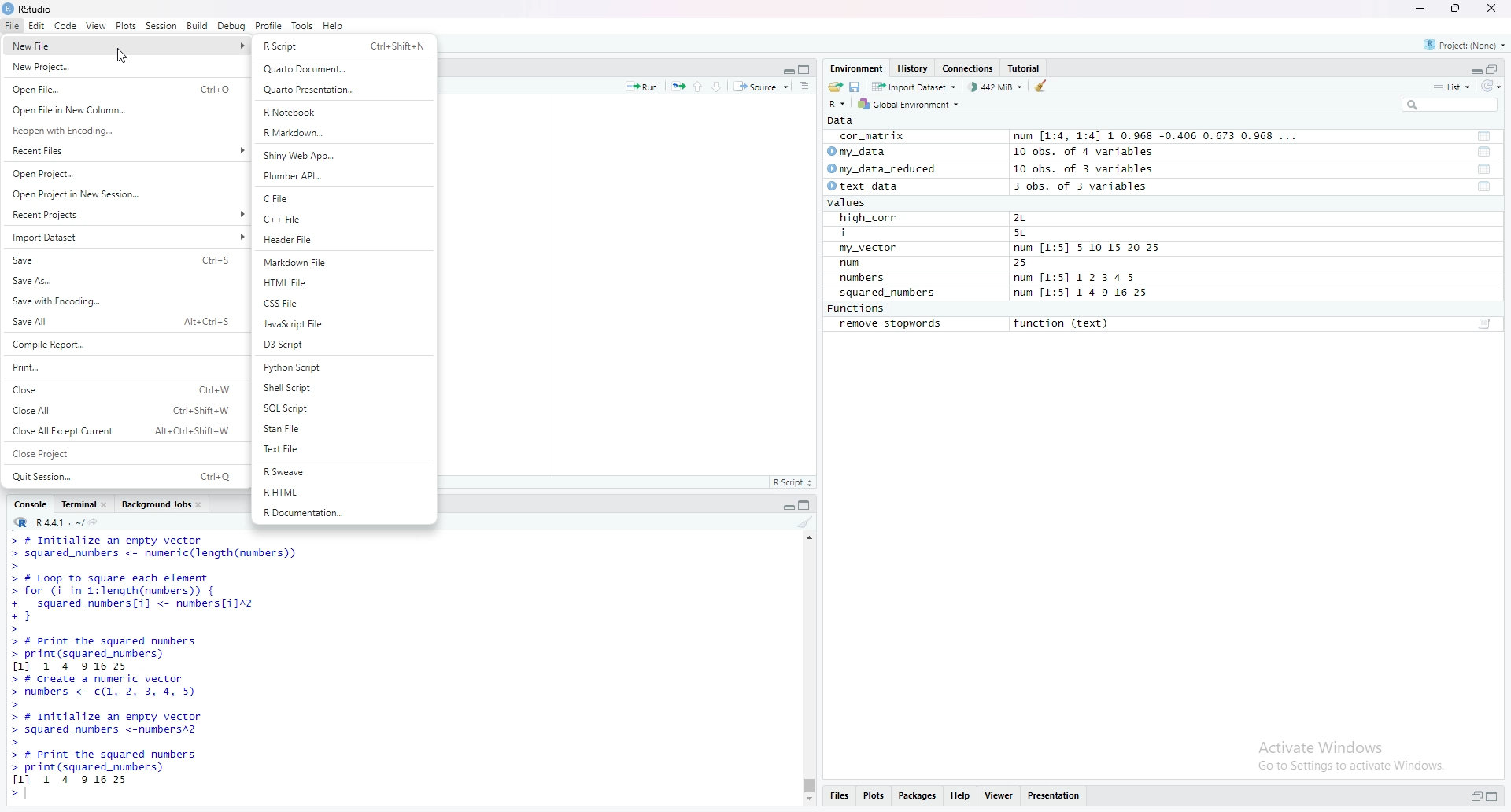 The height and width of the screenshot is (812, 1511). I want to click on D3 Script, so click(342, 344).